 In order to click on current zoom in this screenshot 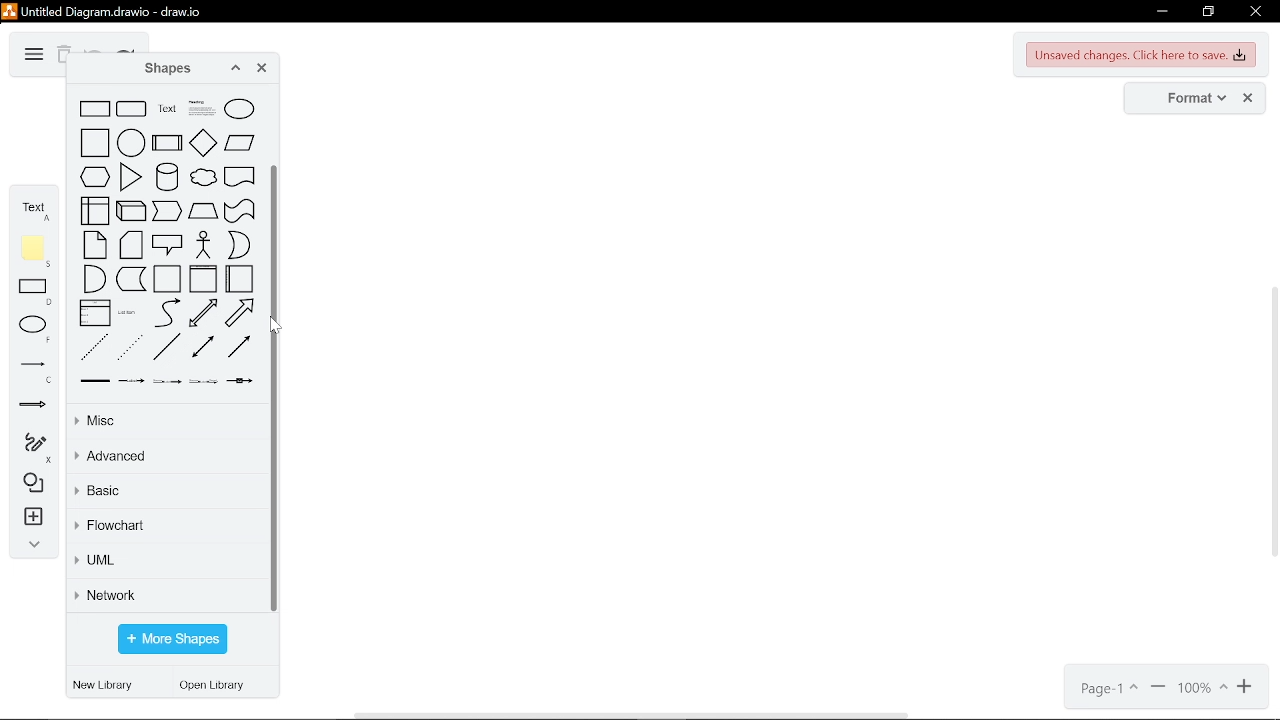, I will do `click(1203, 689)`.